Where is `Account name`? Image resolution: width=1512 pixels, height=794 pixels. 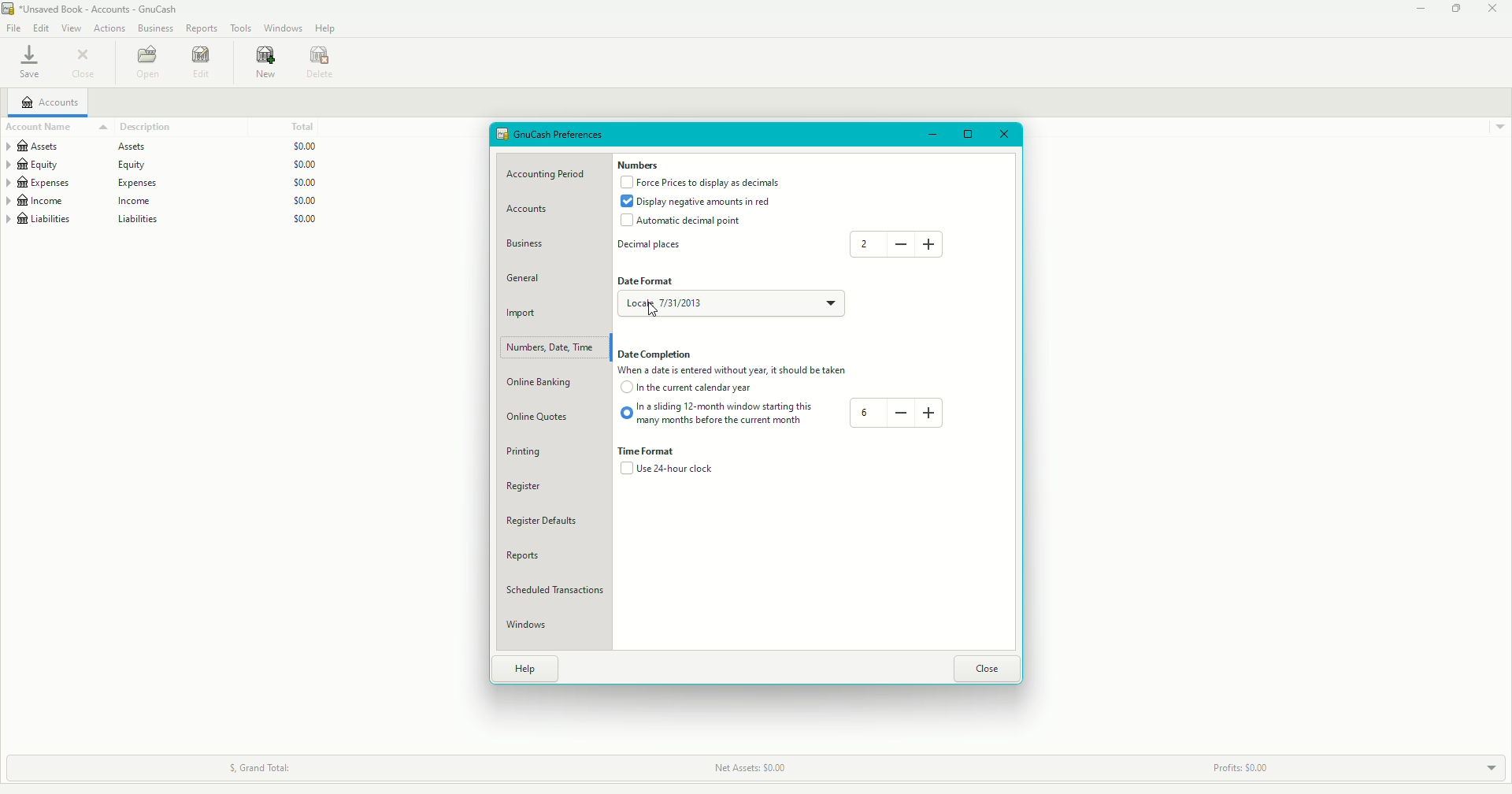 Account name is located at coordinates (42, 126).